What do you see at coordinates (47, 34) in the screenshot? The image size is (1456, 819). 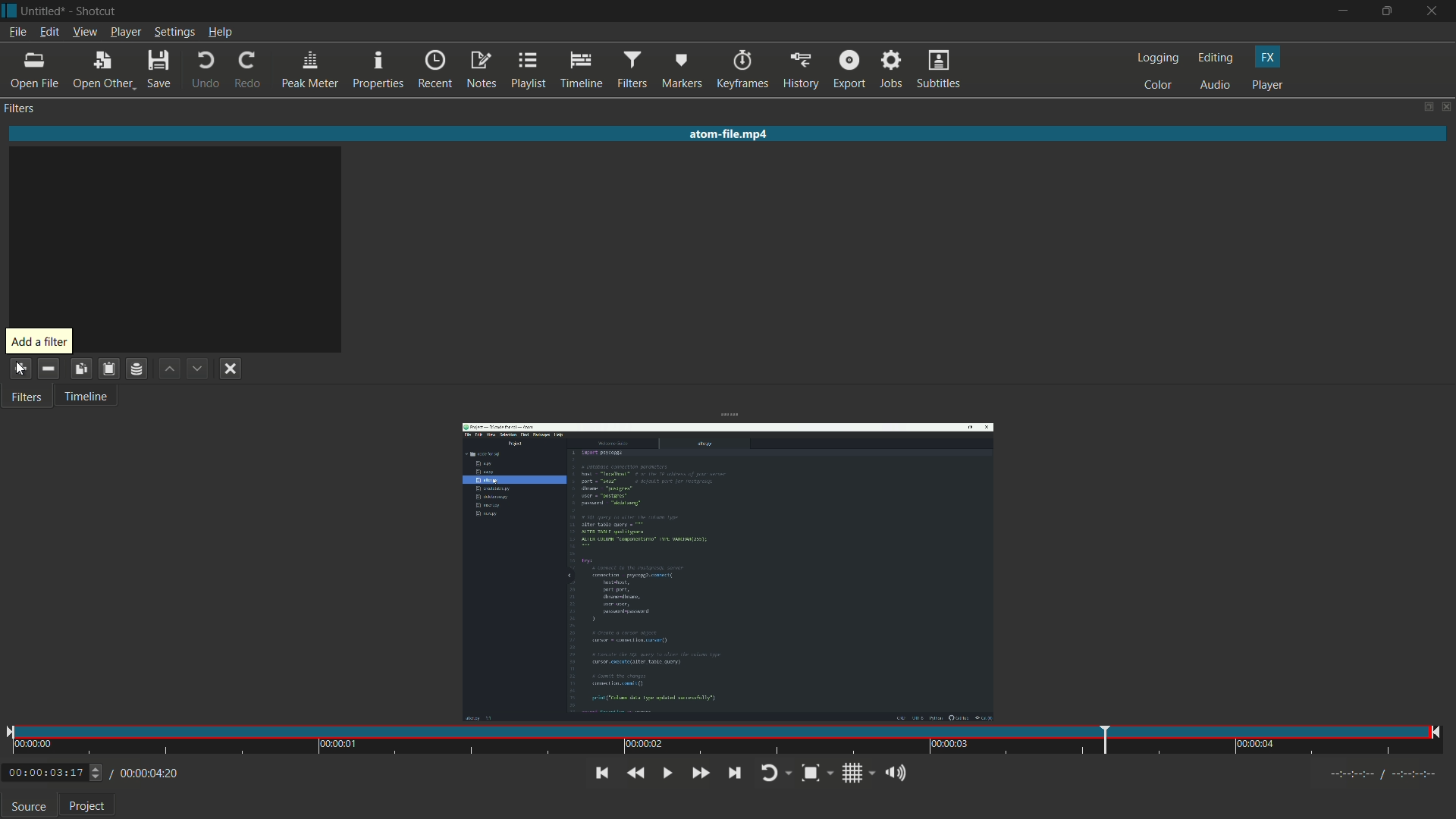 I see `edit menu` at bounding box center [47, 34].